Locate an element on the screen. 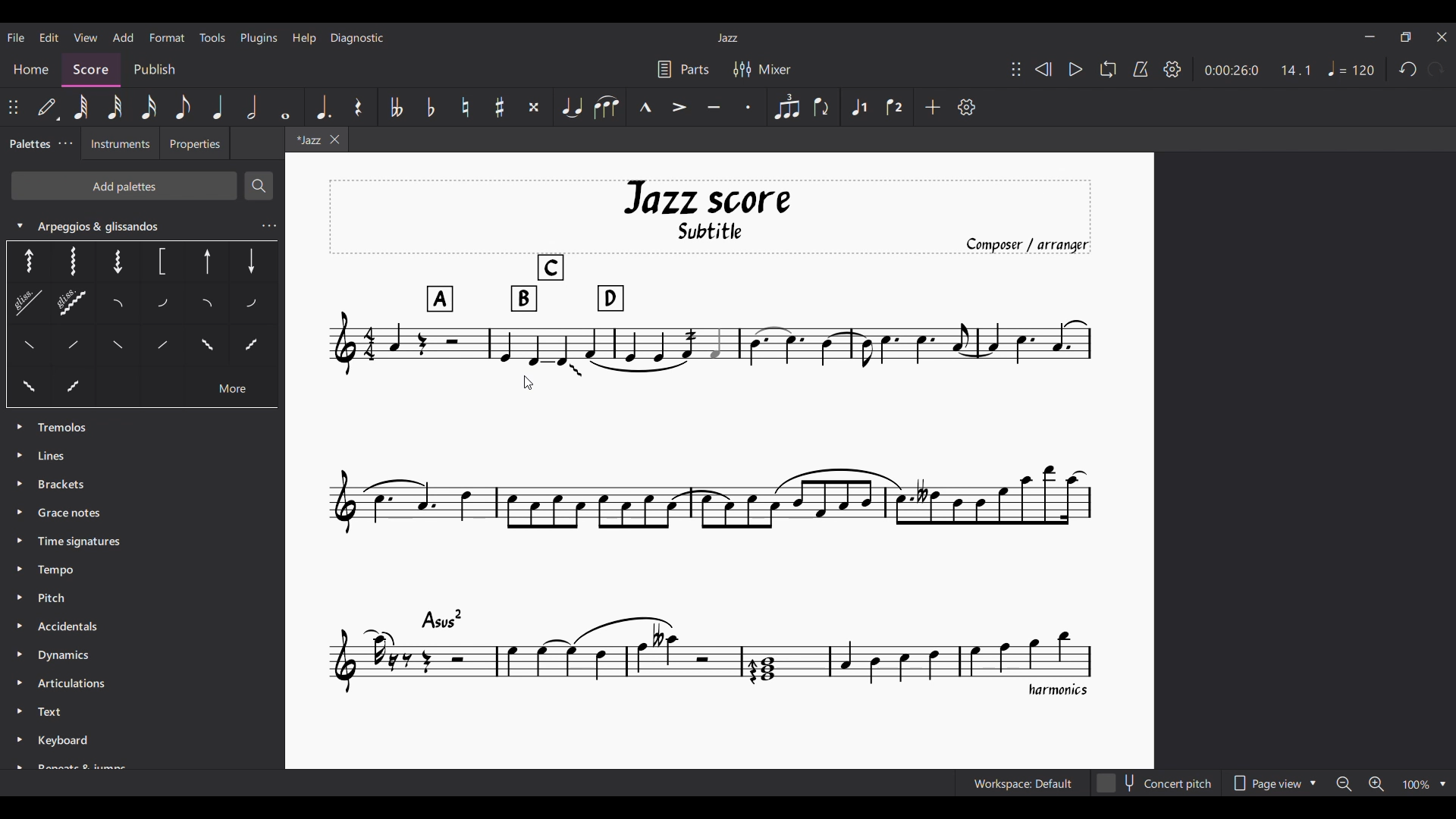  Instruments is located at coordinates (118, 145).